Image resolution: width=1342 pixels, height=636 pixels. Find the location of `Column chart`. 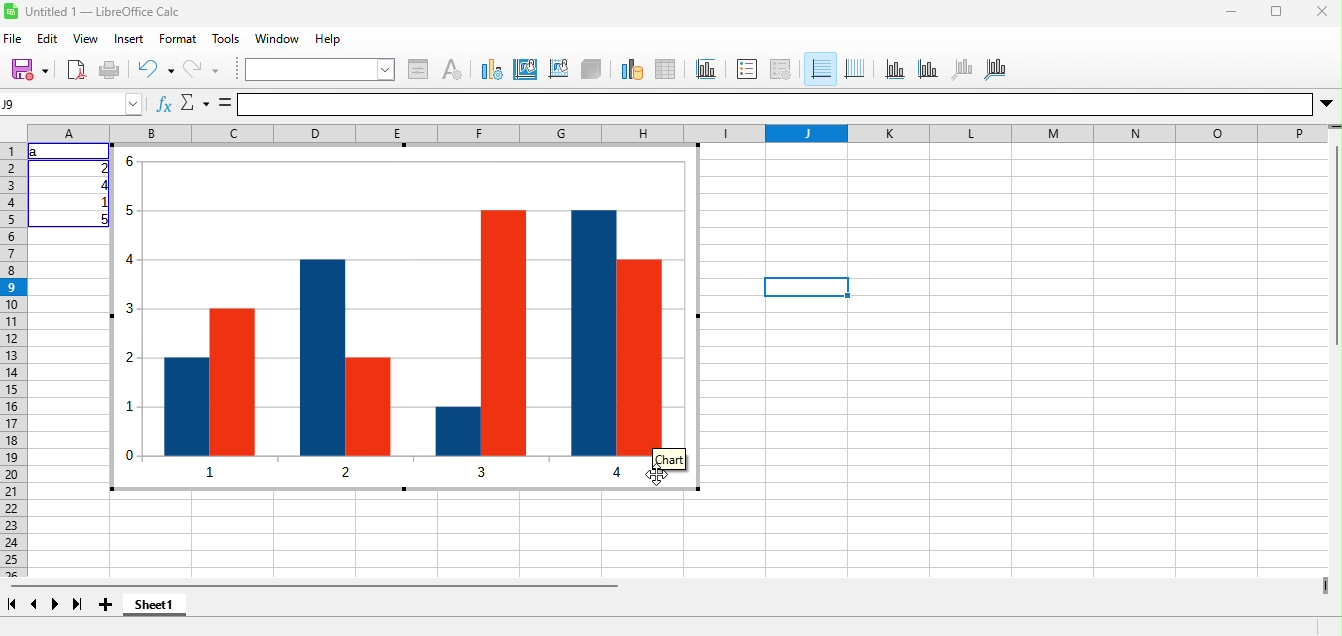

Column chart is located at coordinates (381, 317).